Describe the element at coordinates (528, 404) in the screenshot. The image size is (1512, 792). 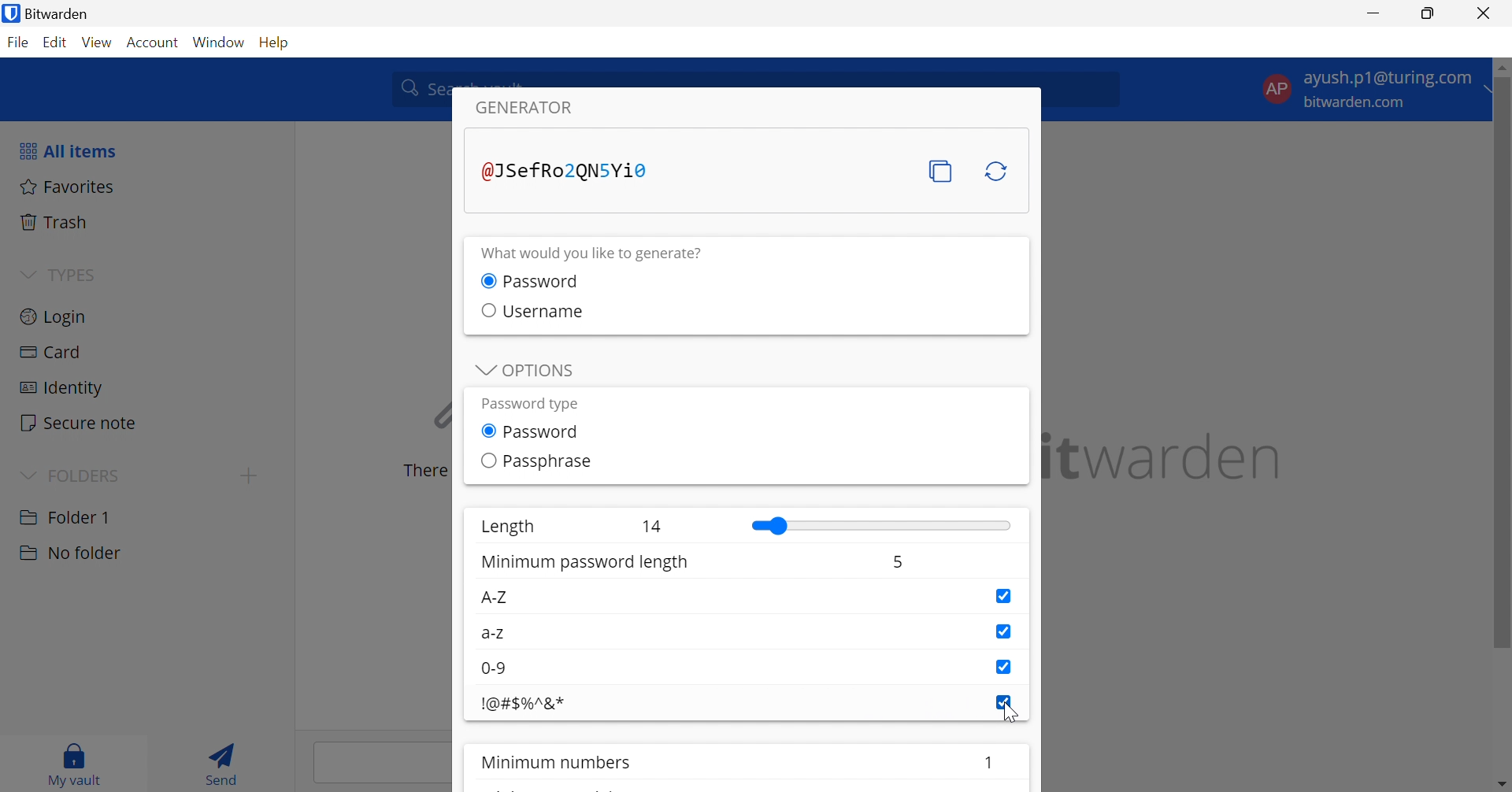
I see `Password type` at that location.